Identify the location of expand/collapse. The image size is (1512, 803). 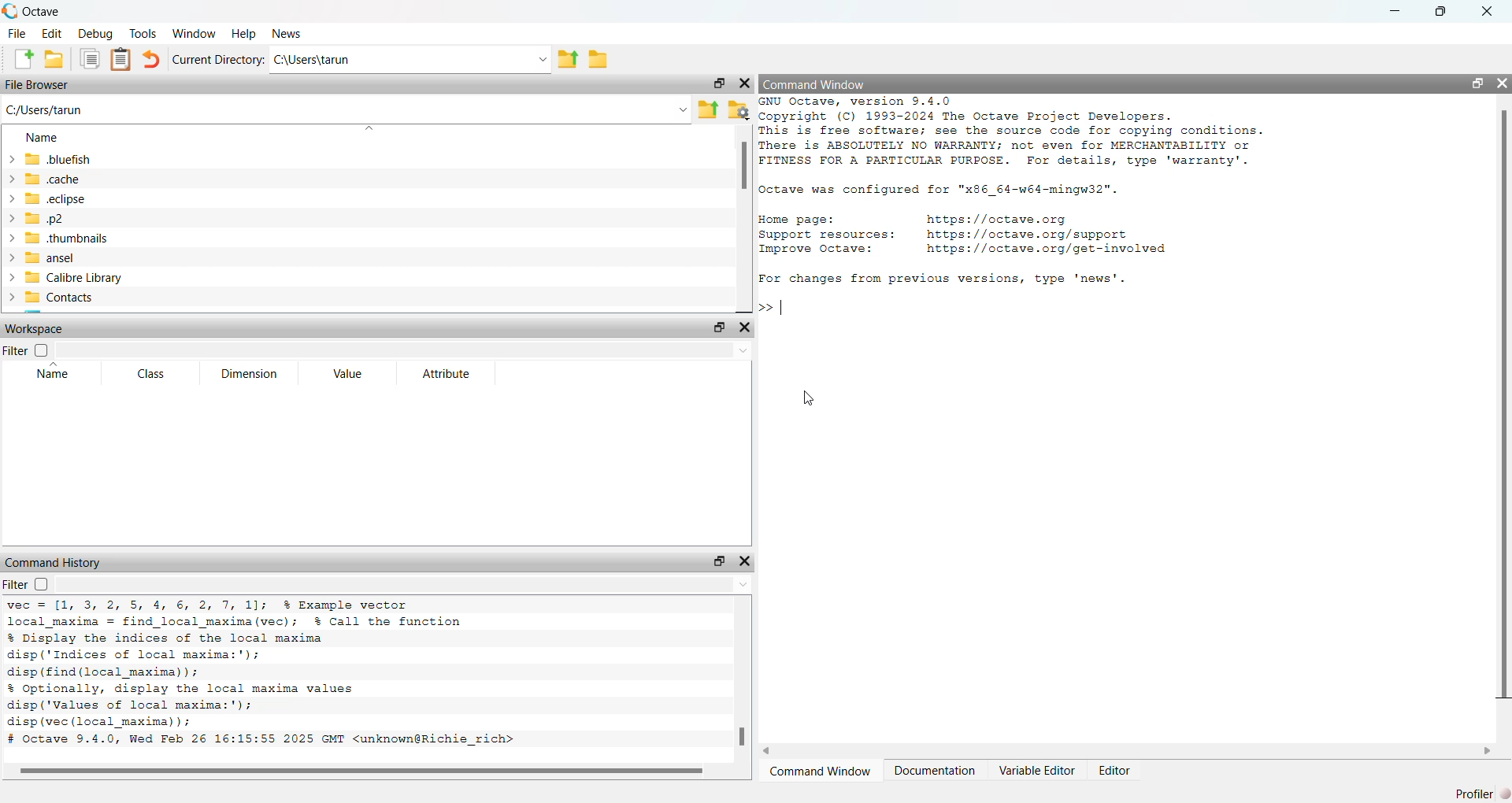
(10, 230).